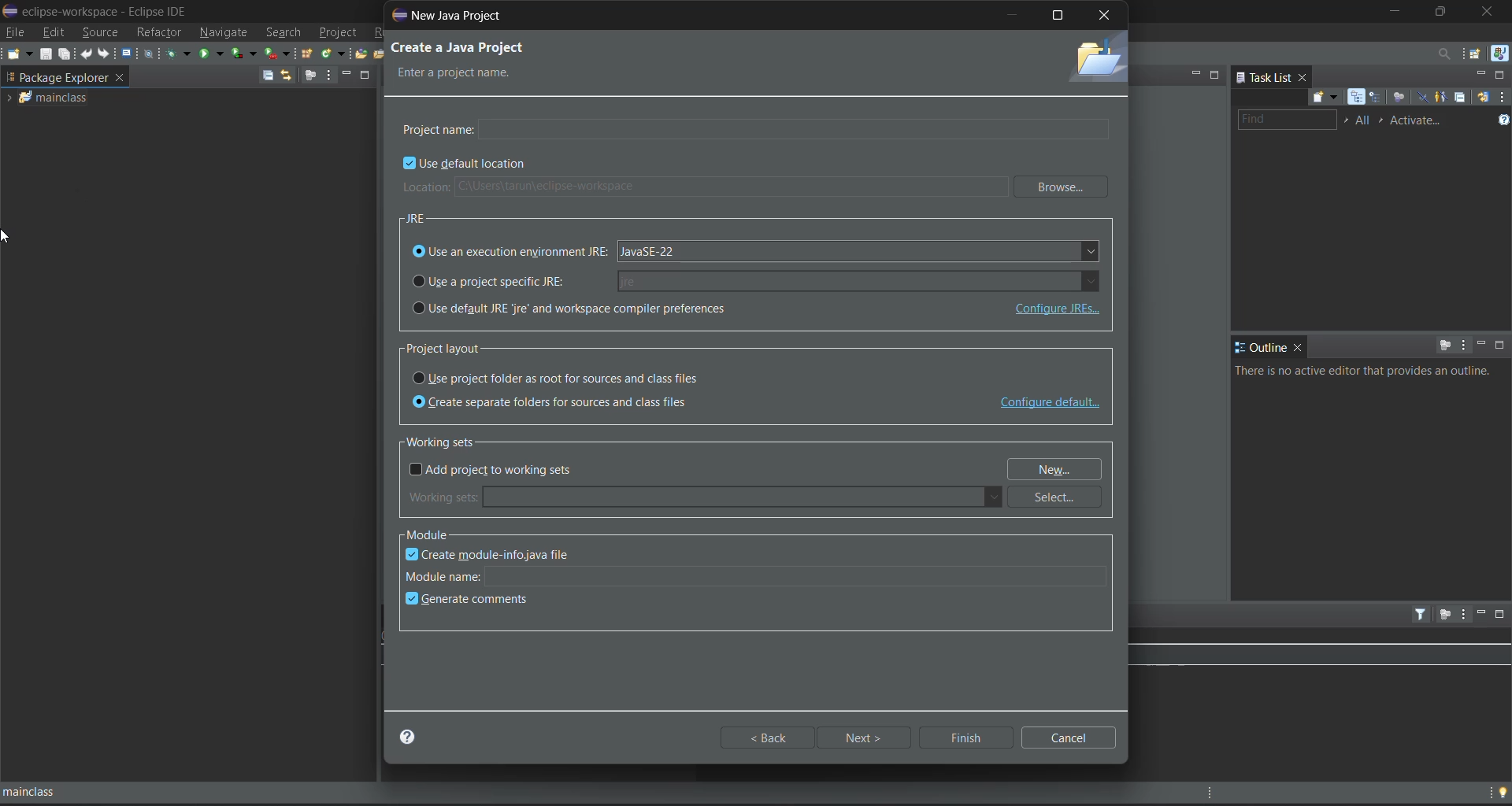 This screenshot has height=806, width=1512. I want to click on select active task, so click(1384, 121).